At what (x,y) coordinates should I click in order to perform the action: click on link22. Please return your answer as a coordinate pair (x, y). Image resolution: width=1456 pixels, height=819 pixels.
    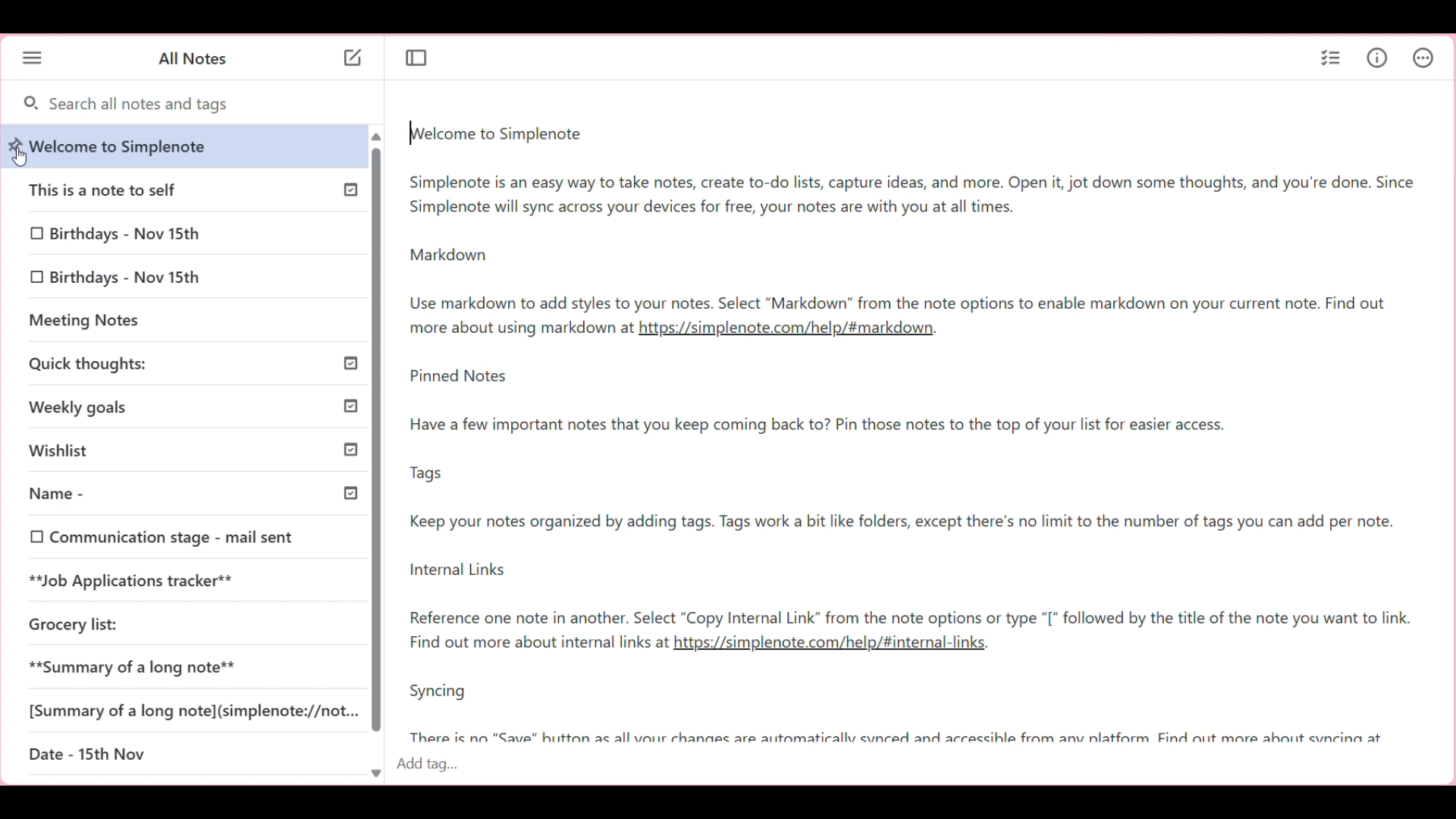
    Looking at the image, I should click on (843, 645).